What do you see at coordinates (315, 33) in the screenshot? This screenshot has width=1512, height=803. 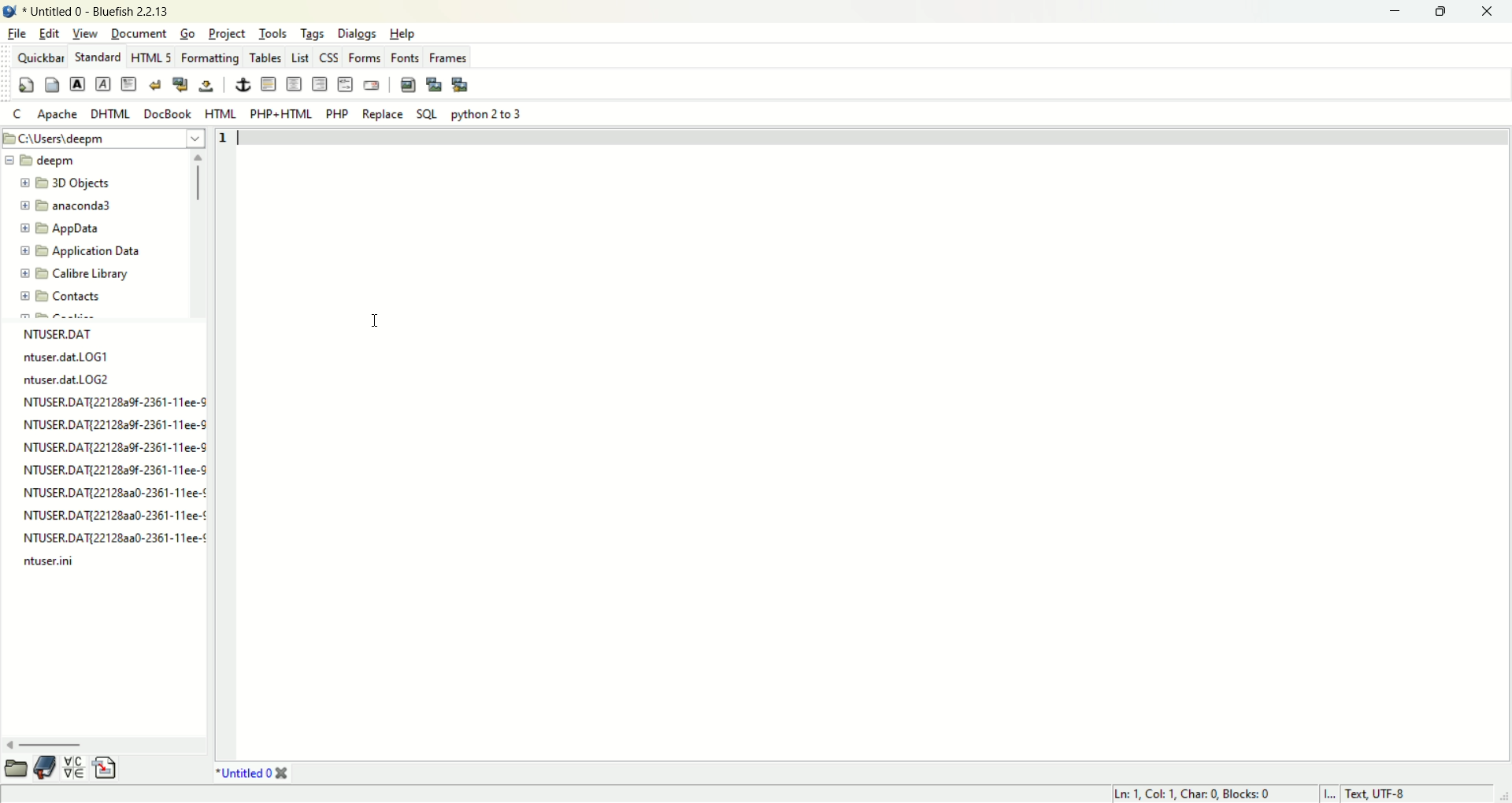 I see `tags` at bounding box center [315, 33].